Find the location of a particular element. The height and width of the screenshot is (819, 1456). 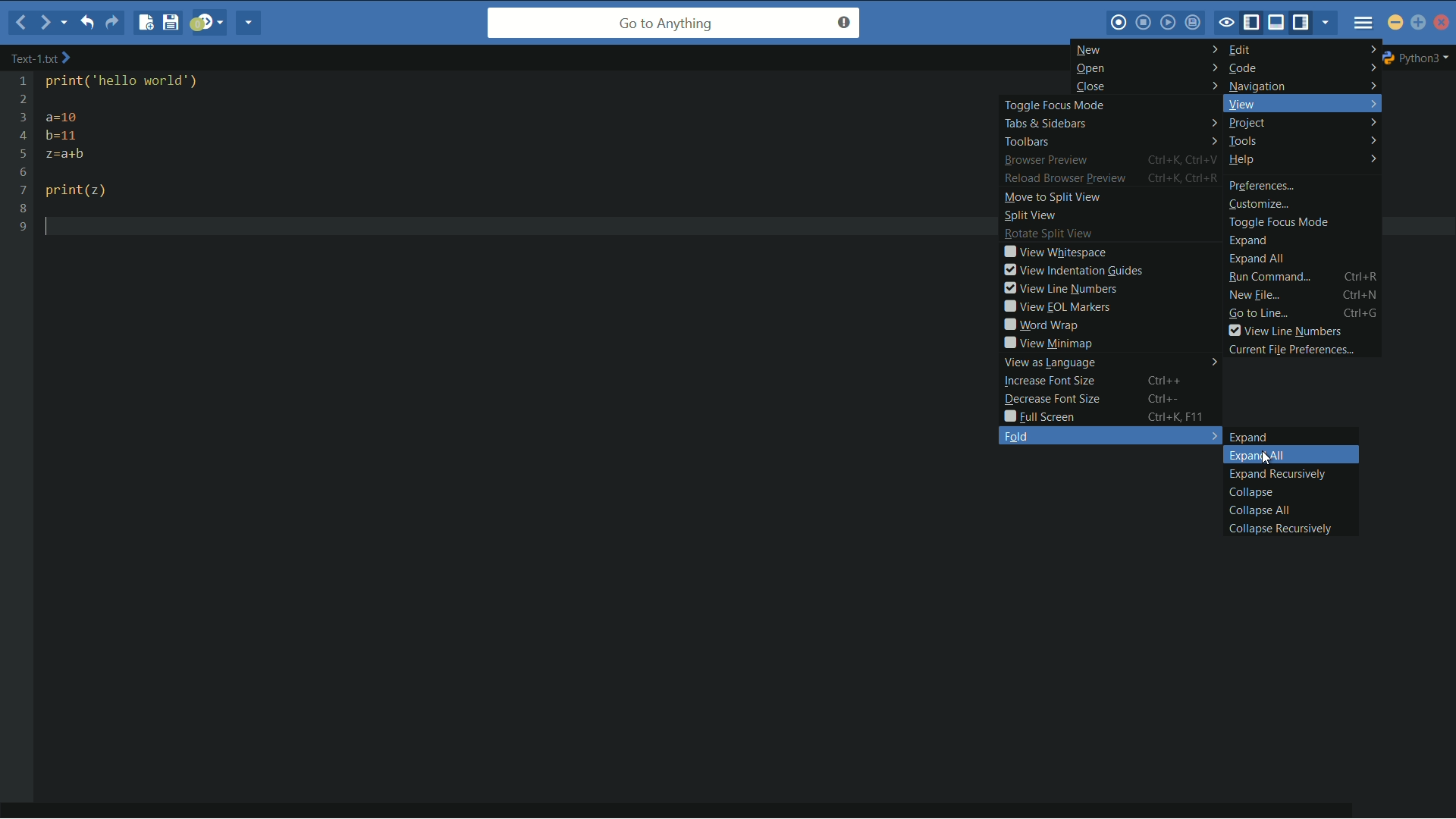

tools is located at coordinates (1303, 140).